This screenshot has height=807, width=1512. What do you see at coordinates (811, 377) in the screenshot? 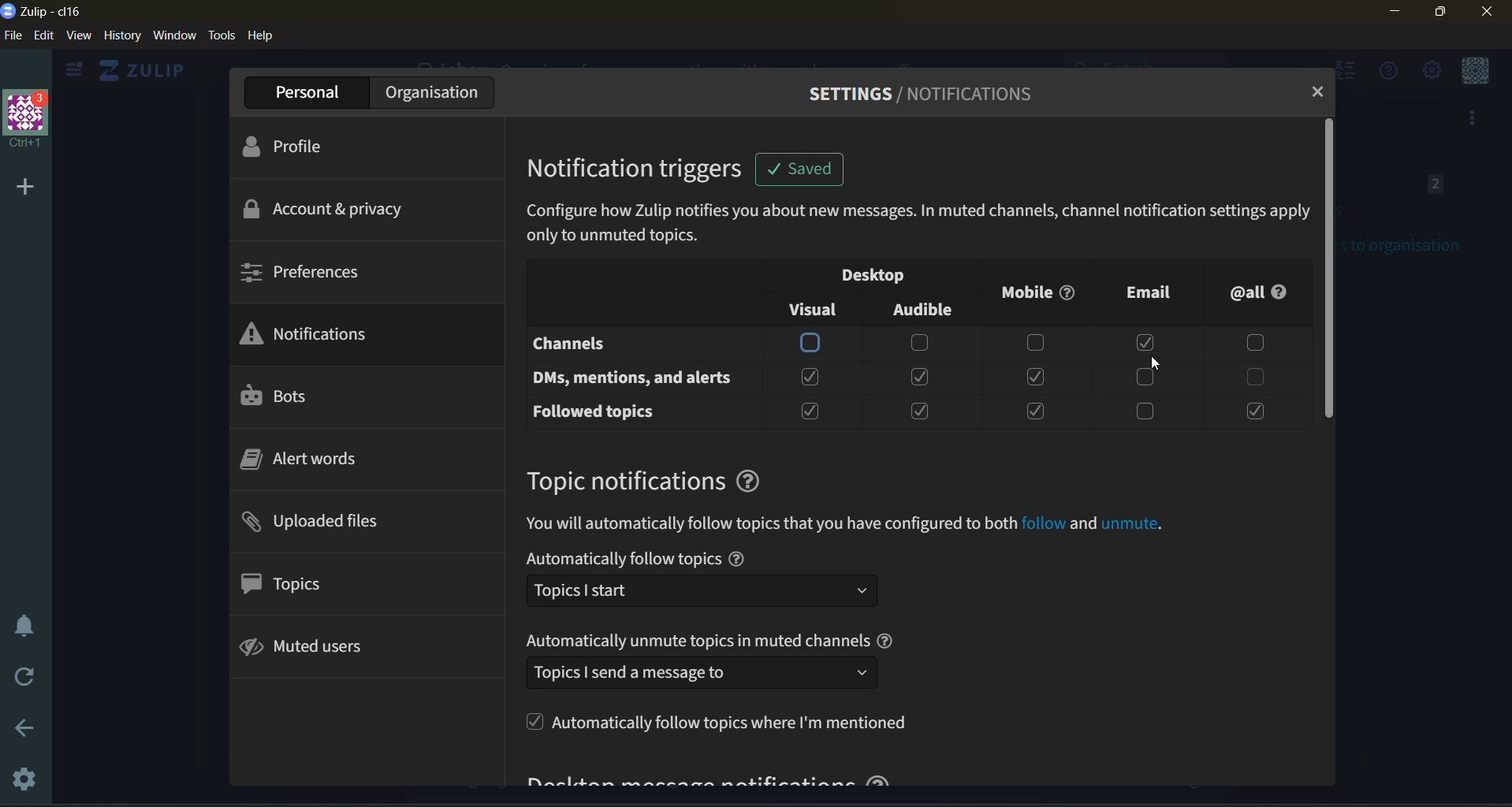
I see `checkbox` at bounding box center [811, 377].